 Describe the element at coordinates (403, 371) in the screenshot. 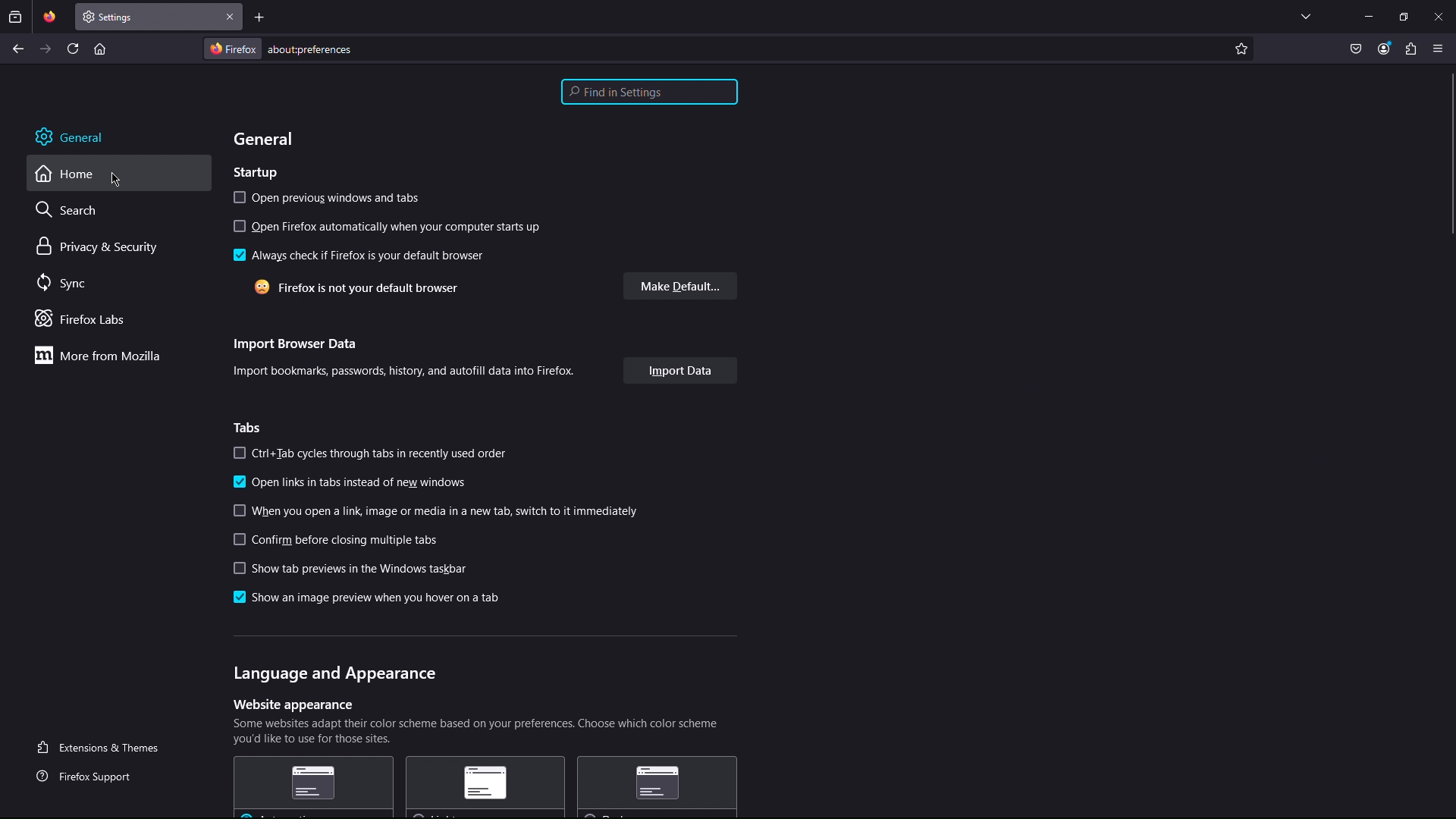

I see `Import bookmarks, passwords, history and autofill data` at that location.